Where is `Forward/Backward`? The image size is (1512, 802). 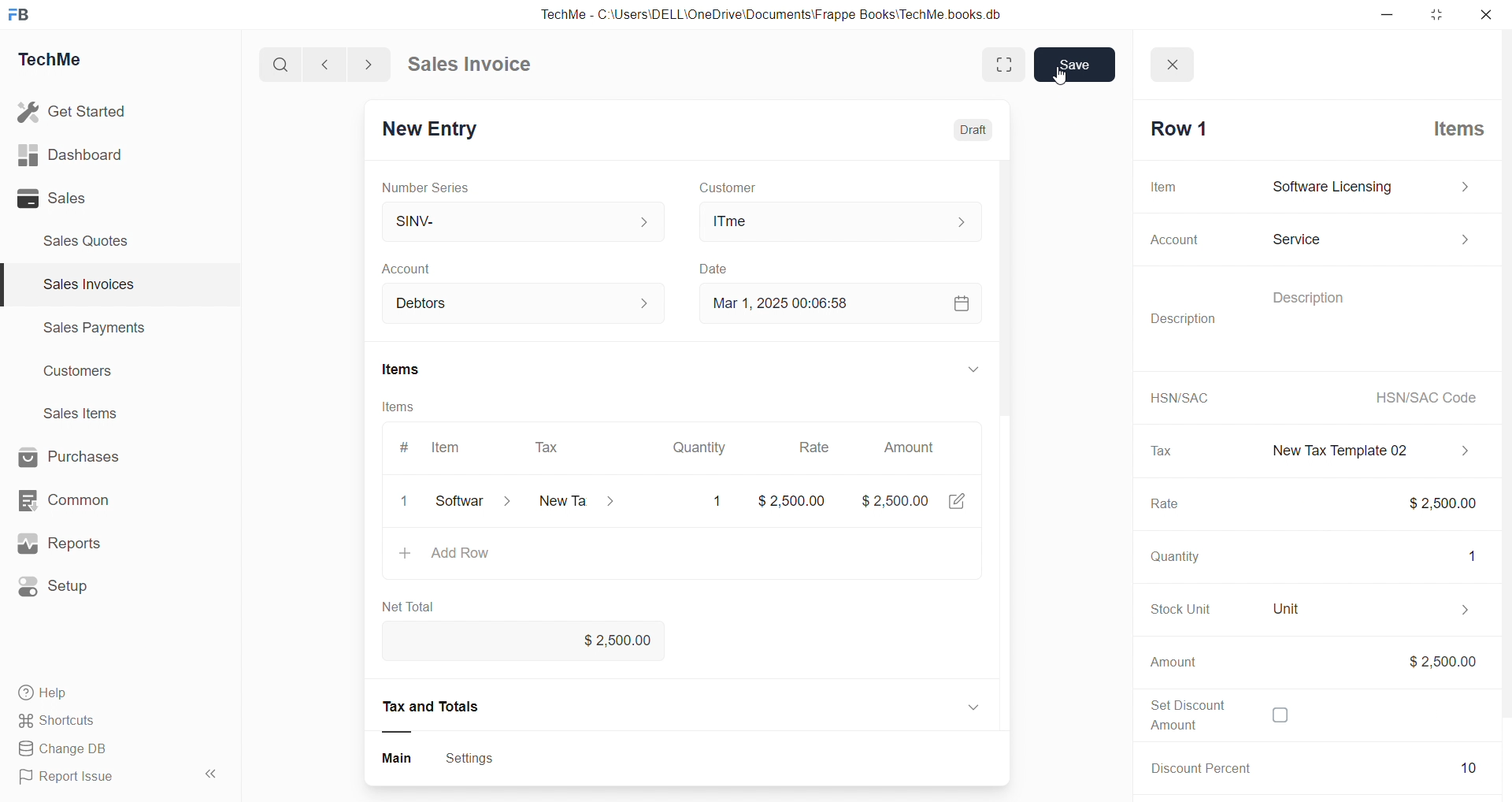
Forward/Backward is located at coordinates (348, 63).